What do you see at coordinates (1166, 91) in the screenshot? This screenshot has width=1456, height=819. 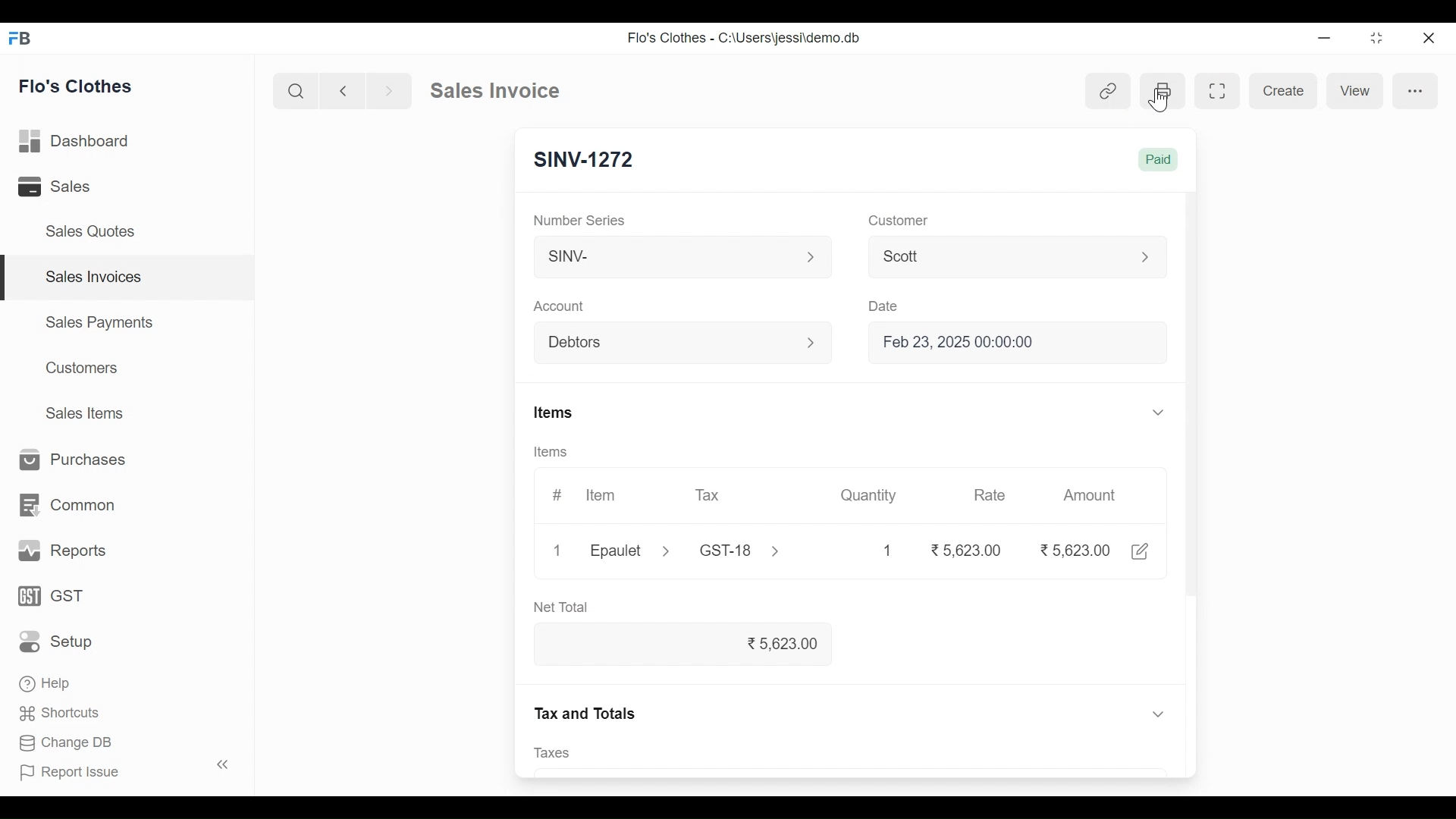 I see `Print` at bounding box center [1166, 91].